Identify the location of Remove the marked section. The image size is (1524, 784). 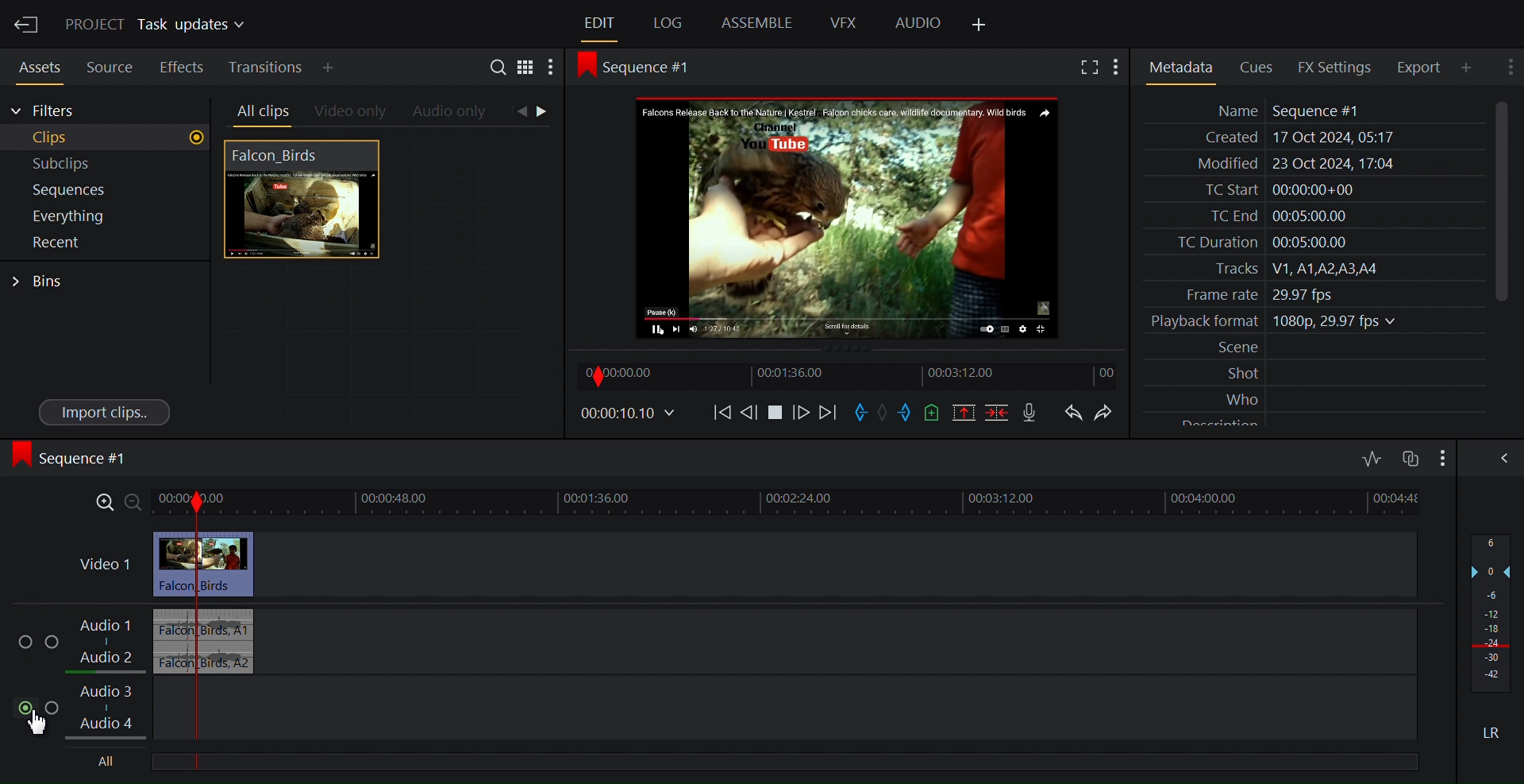
(964, 413).